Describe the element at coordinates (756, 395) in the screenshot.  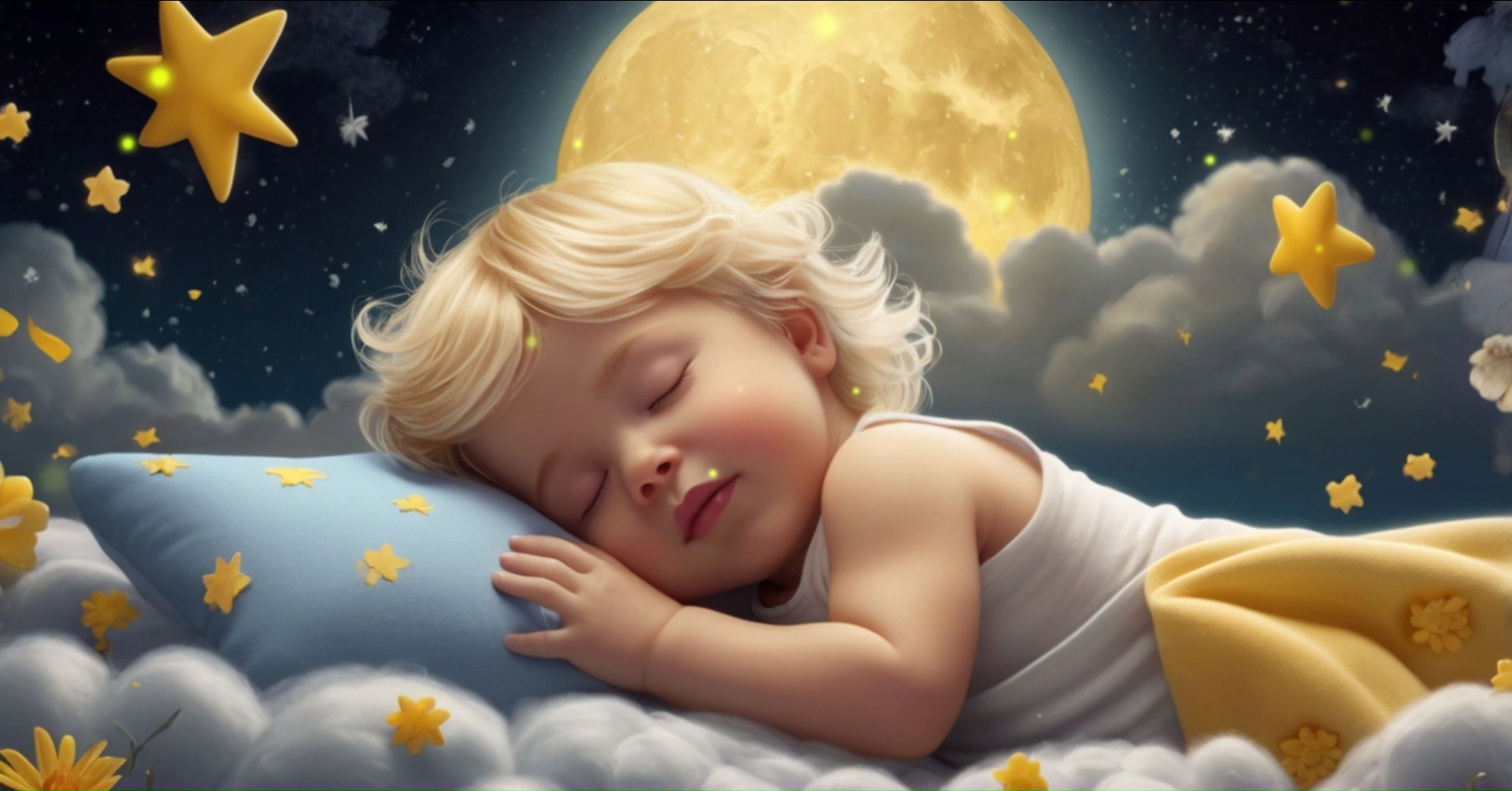
I see `Fullscreen mode` at that location.